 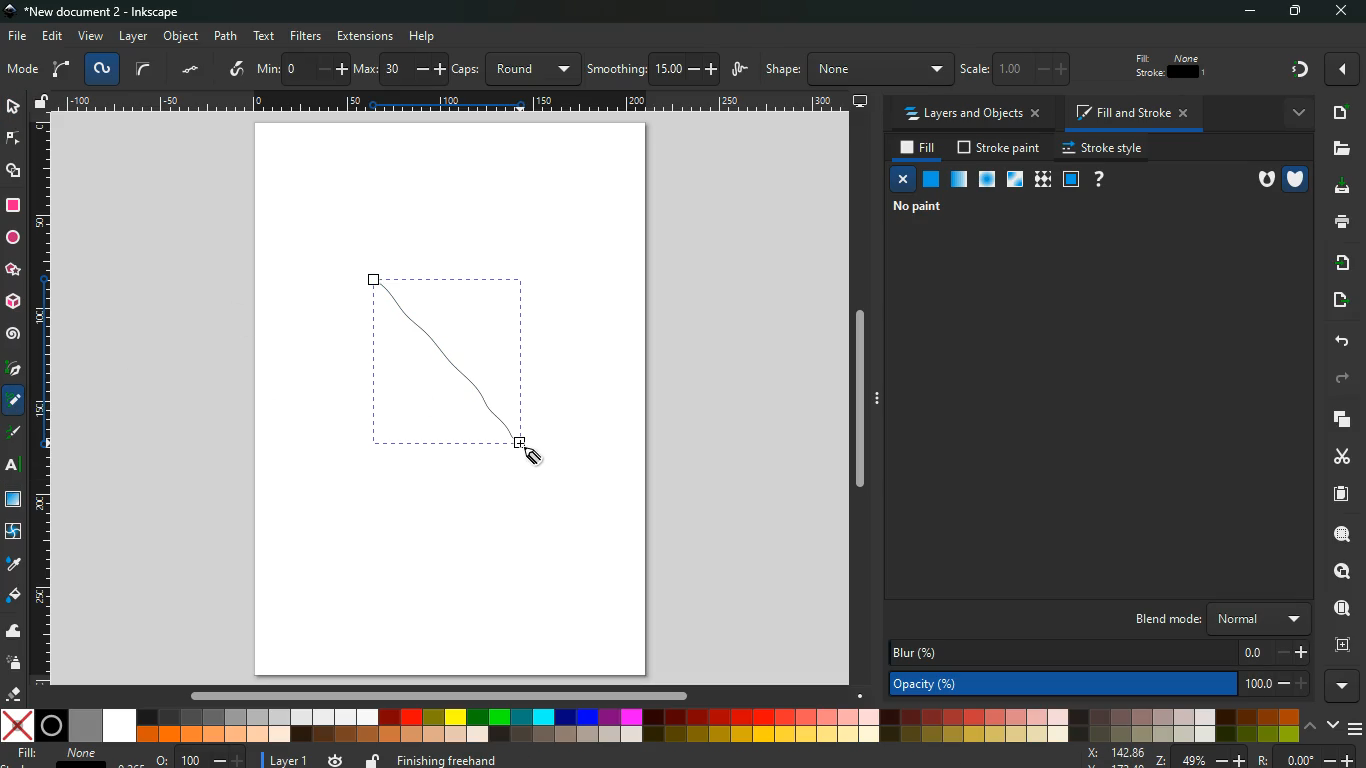 What do you see at coordinates (1106, 147) in the screenshot?
I see `stroke style` at bounding box center [1106, 147].